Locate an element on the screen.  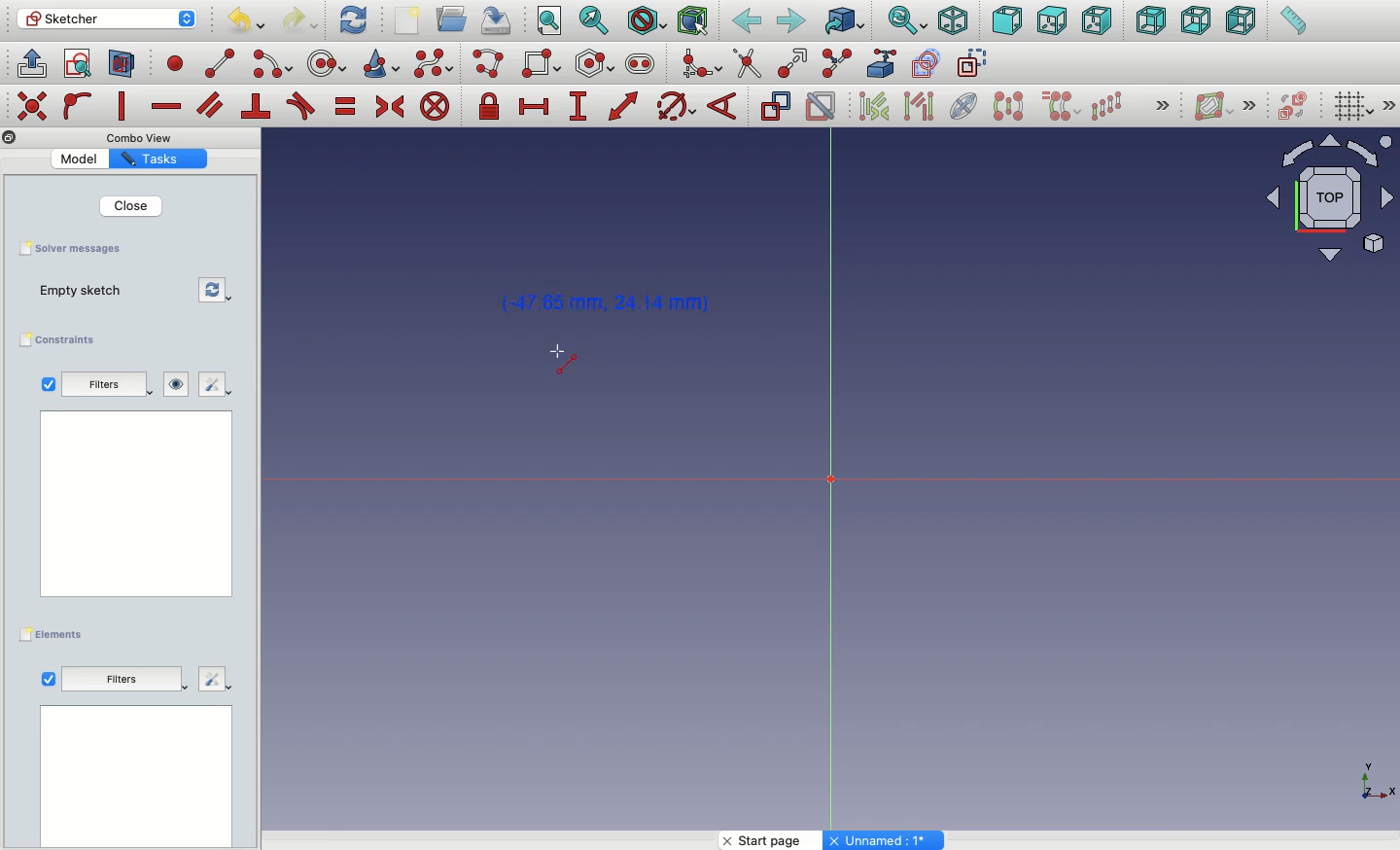
Bottom is located at coordinates (1196, 22).